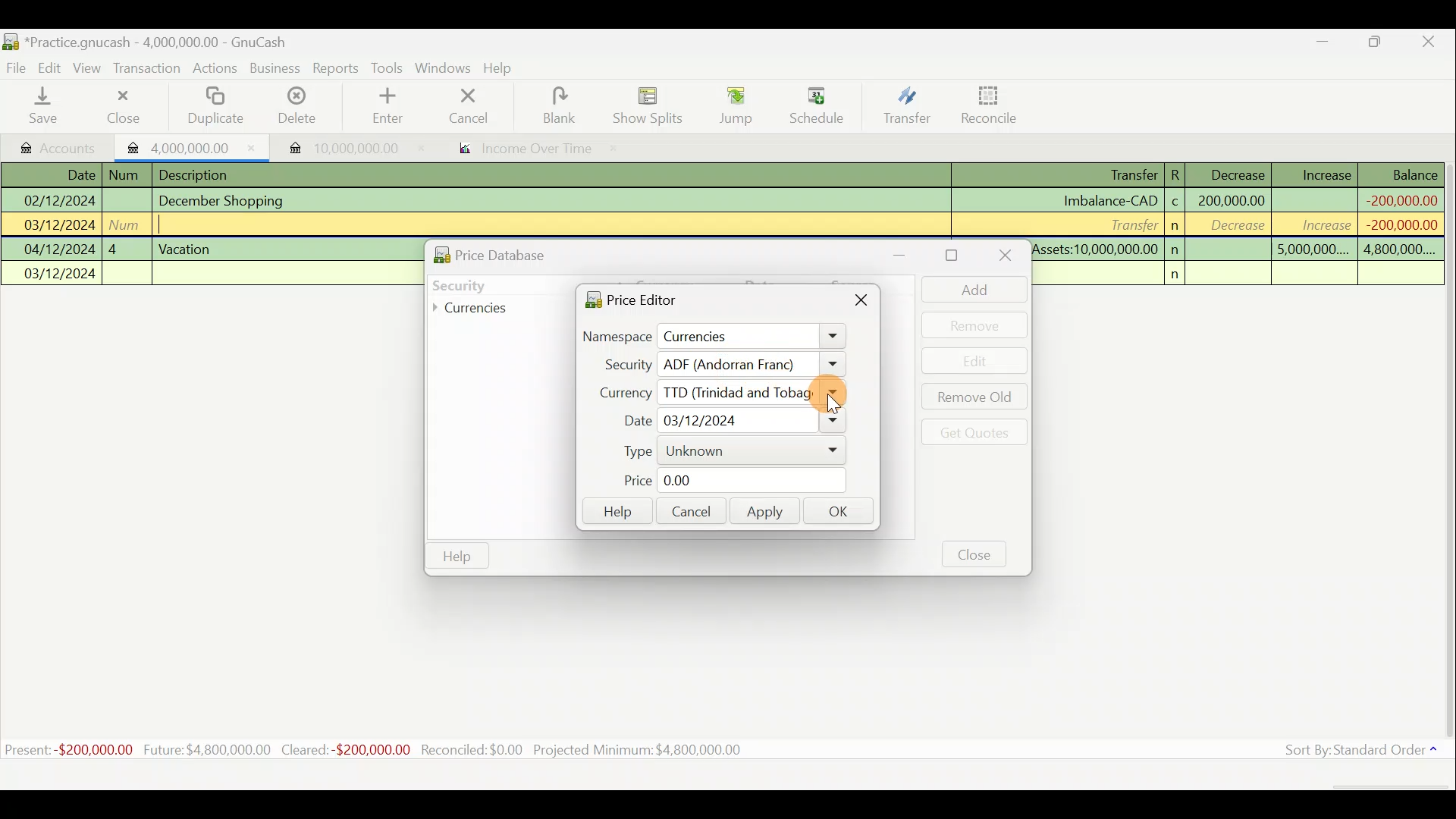  What do you see at coordinates (1233, 227) in the screenshot?
I see `decrease` at bounding box center [1233, 227].